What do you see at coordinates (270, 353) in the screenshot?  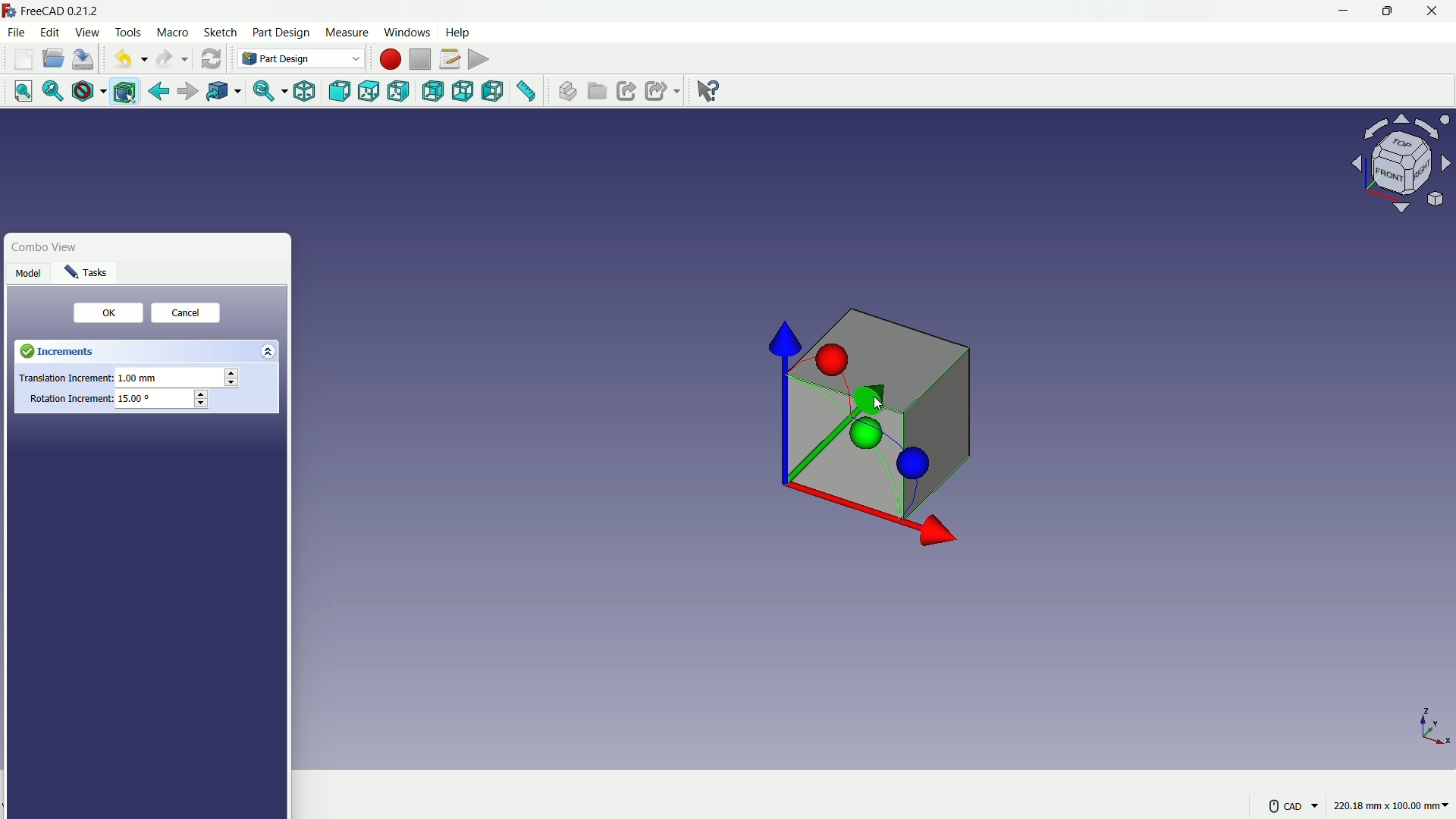 I see `Expand` at bounding box center [270, 353].